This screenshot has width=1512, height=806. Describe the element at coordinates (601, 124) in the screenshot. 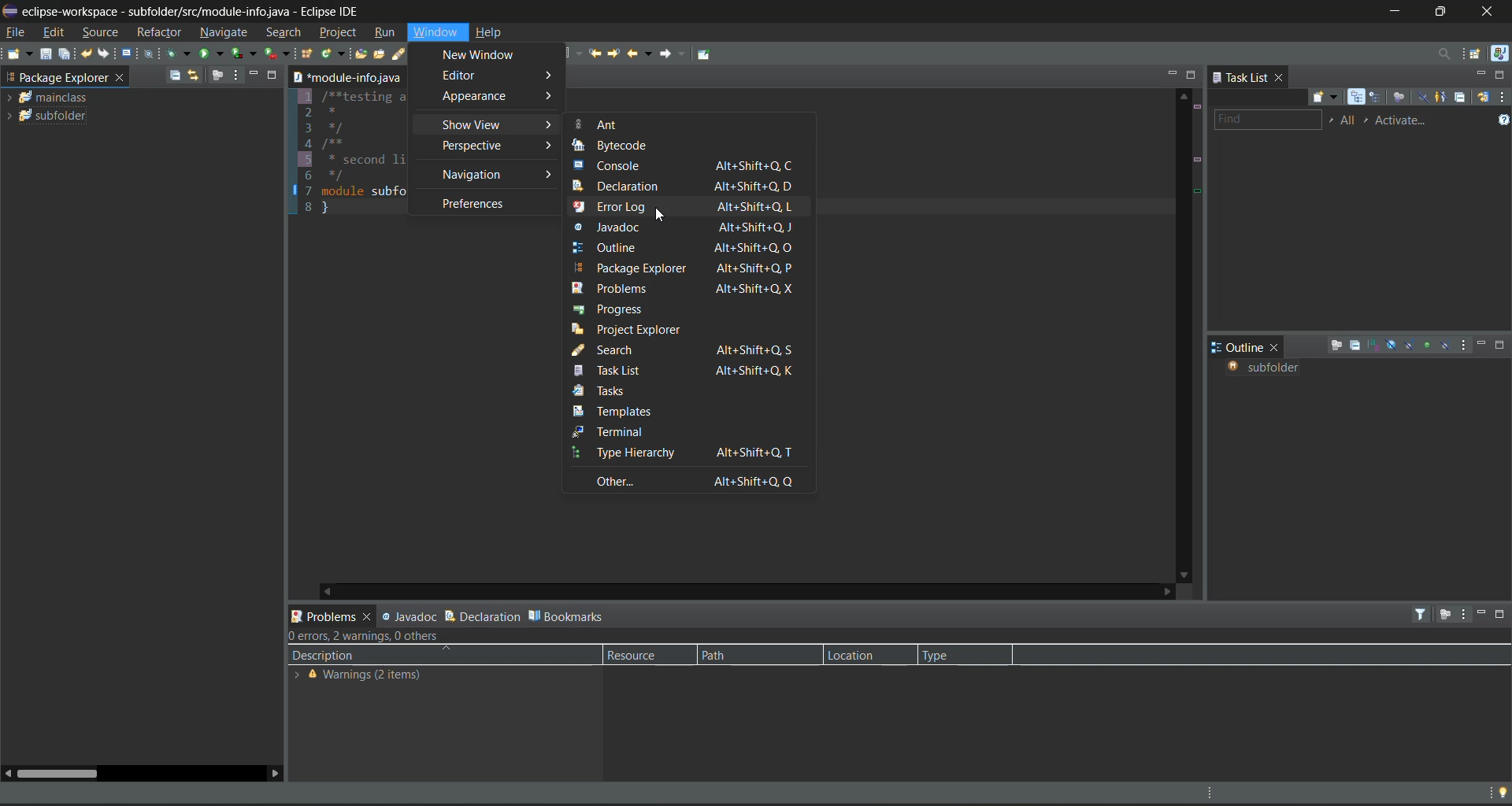

I see `ant` at that location.